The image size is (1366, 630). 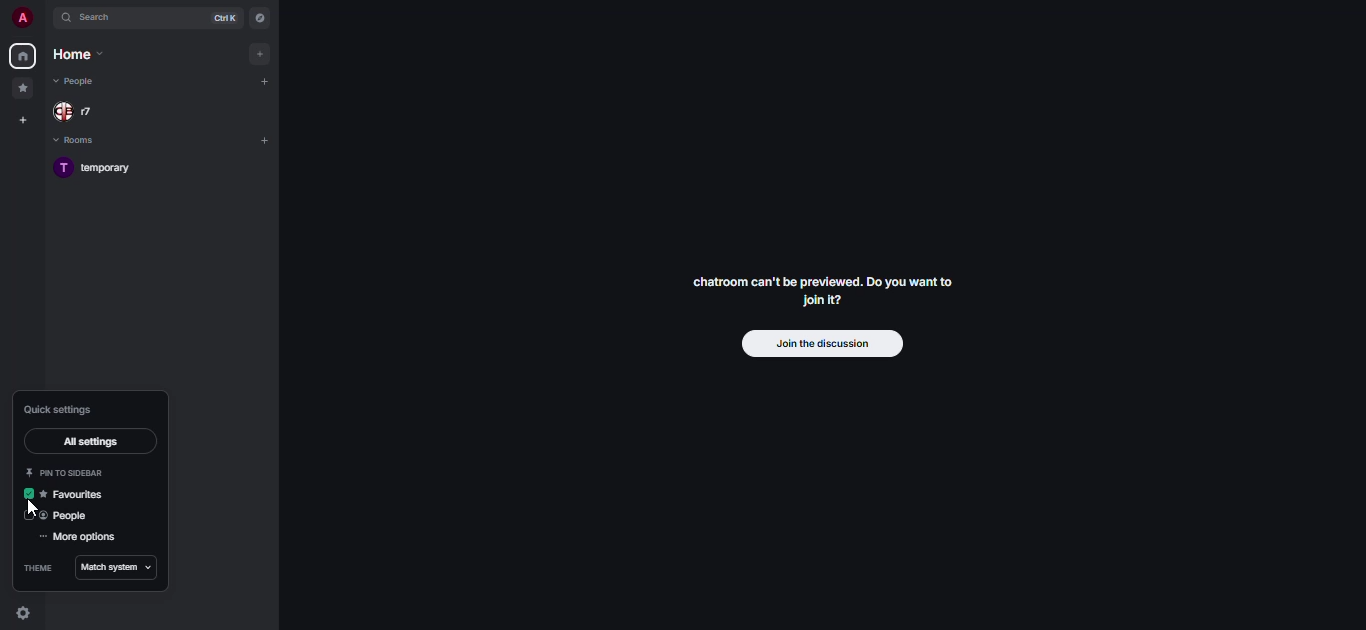 What do you see at coordinates (270, 141) in the screenshot?
I see `add` at bounding box center [270, 141].